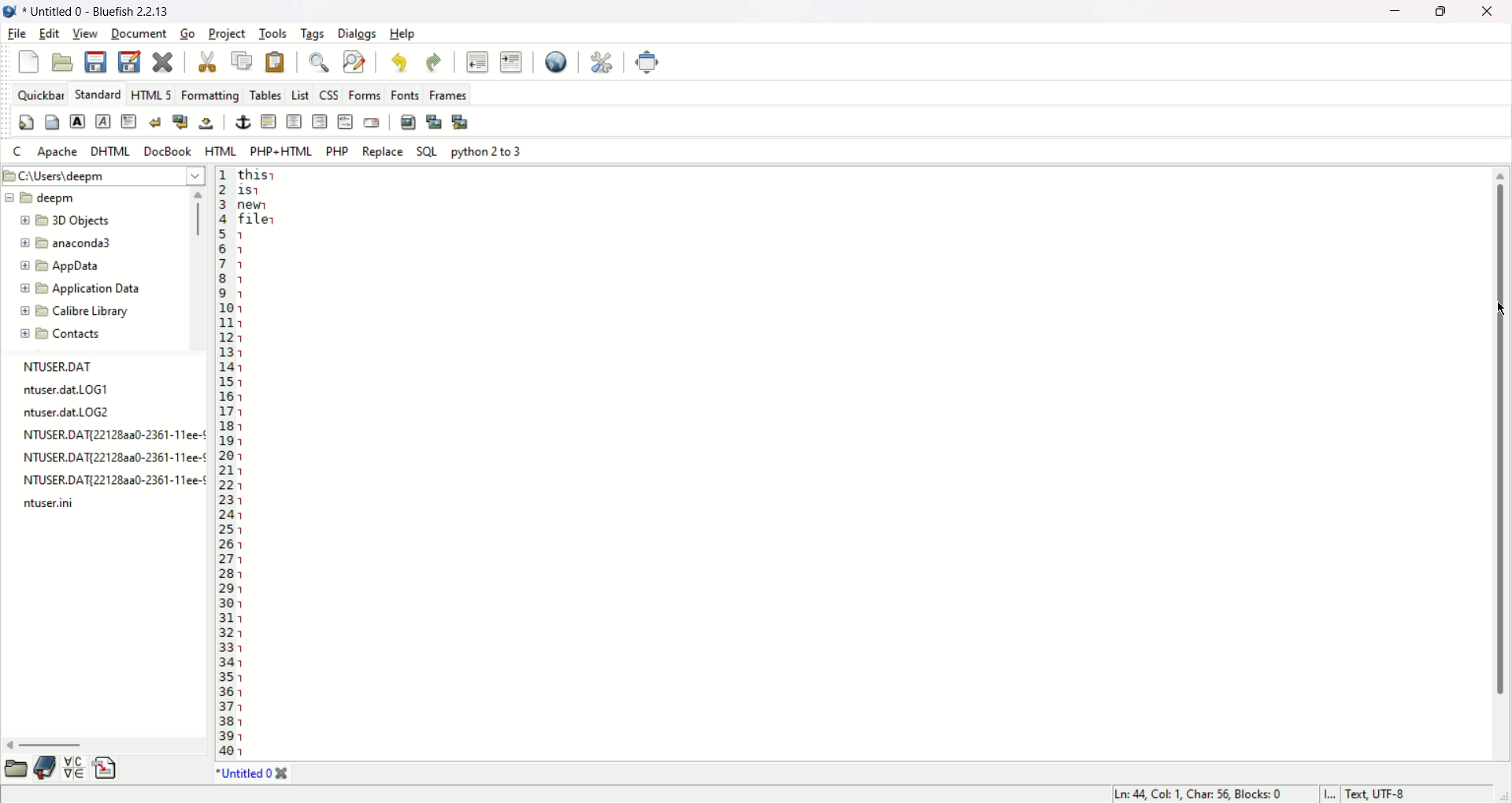 Image resolution: width=1512 pixels, height=803 pixels. I want to click on Folder name, so click(75, 221).